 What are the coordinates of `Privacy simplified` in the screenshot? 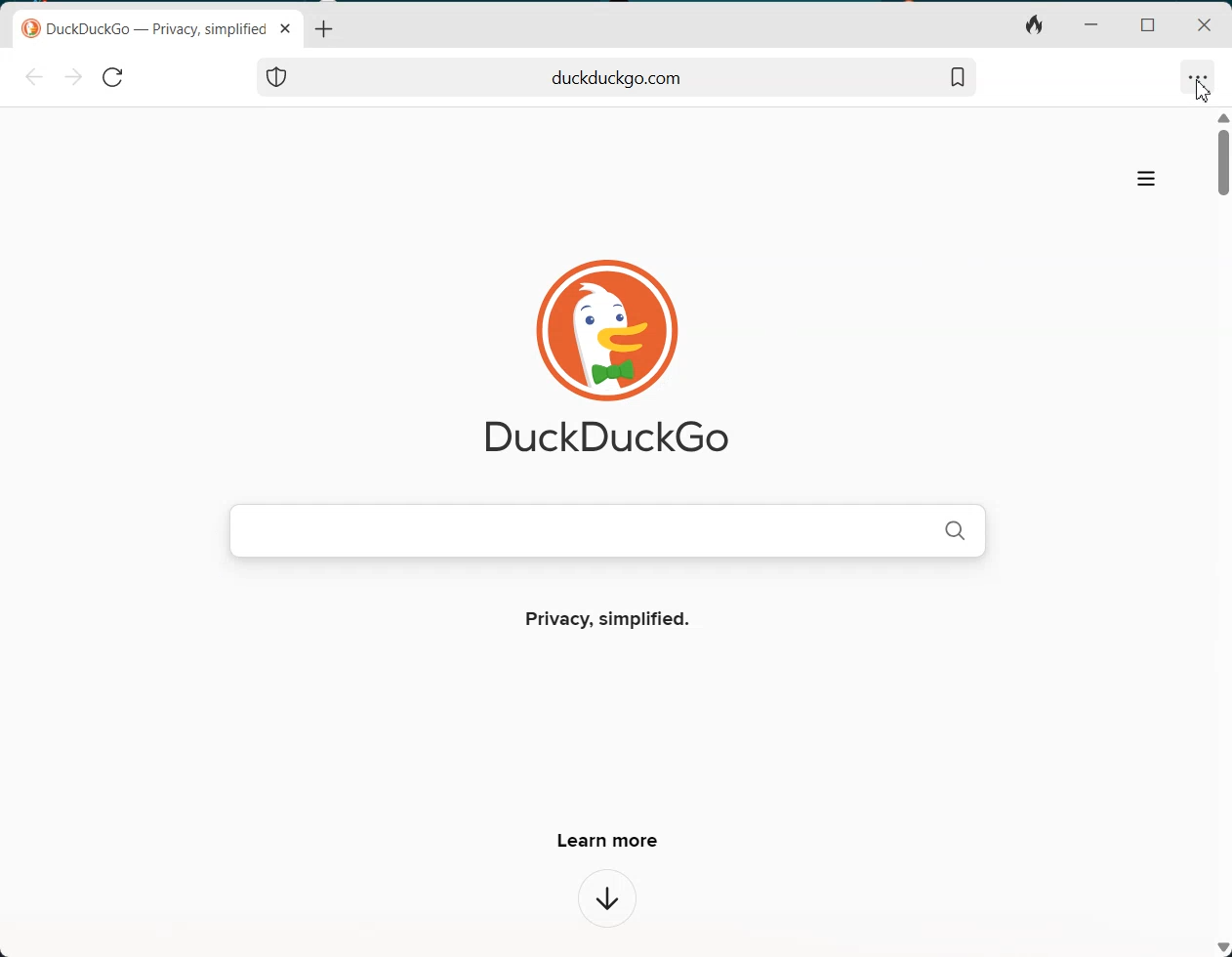 It's located at (611, 620).